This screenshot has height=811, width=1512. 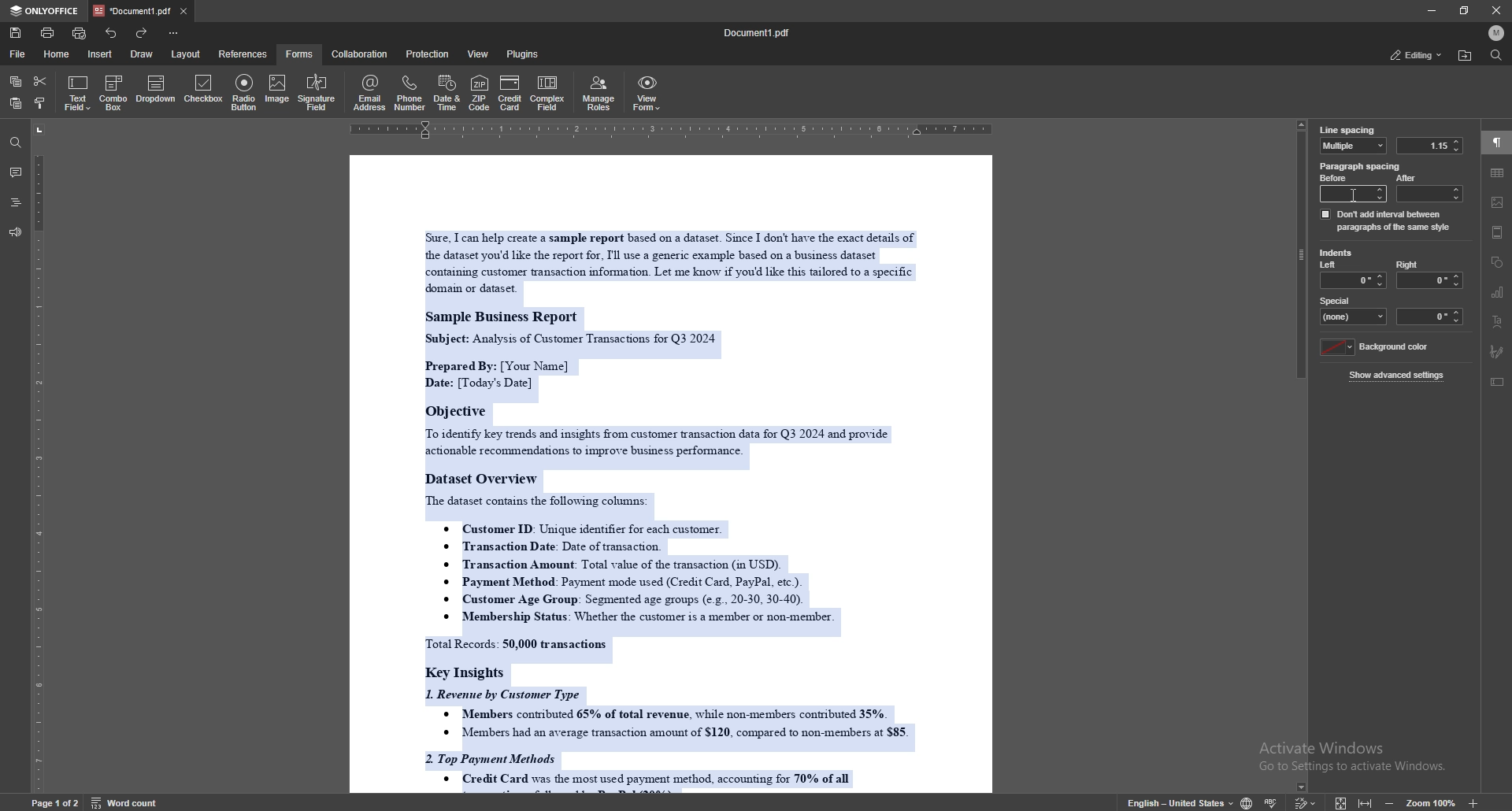 I want to click on line spacing value, so click(x=1429, y=146).